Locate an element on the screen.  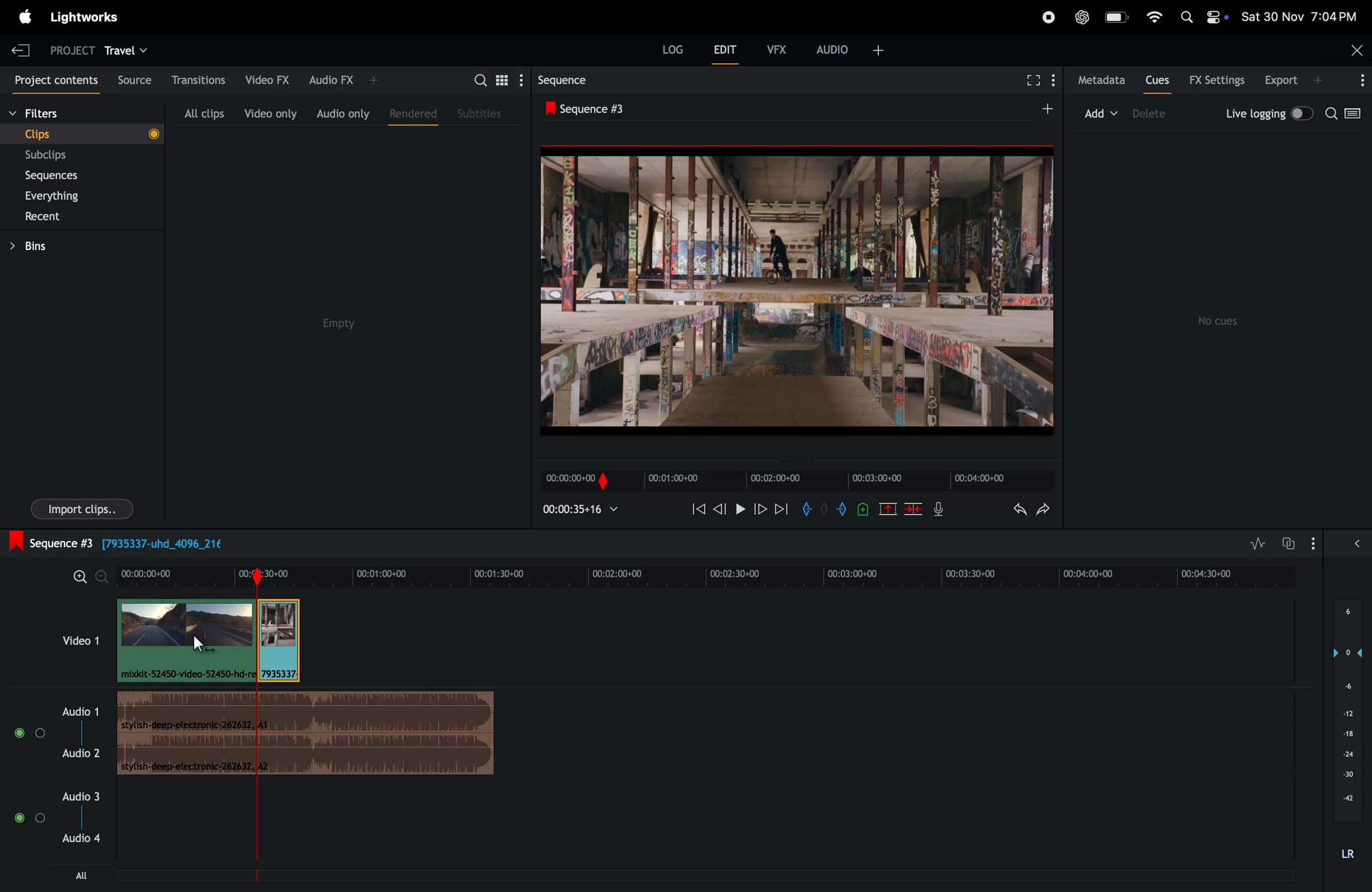
-30 (layers) is located at coordinates (1345, 776).